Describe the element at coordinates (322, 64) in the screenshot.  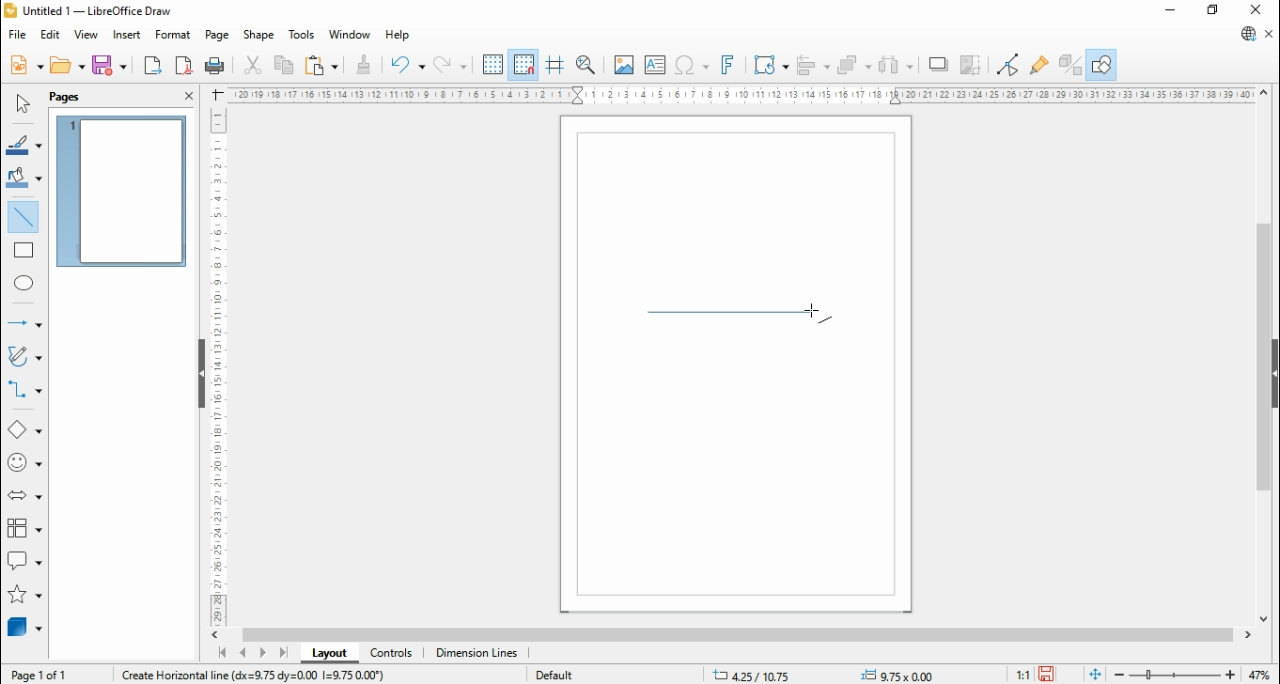
I see `paste` at that location.